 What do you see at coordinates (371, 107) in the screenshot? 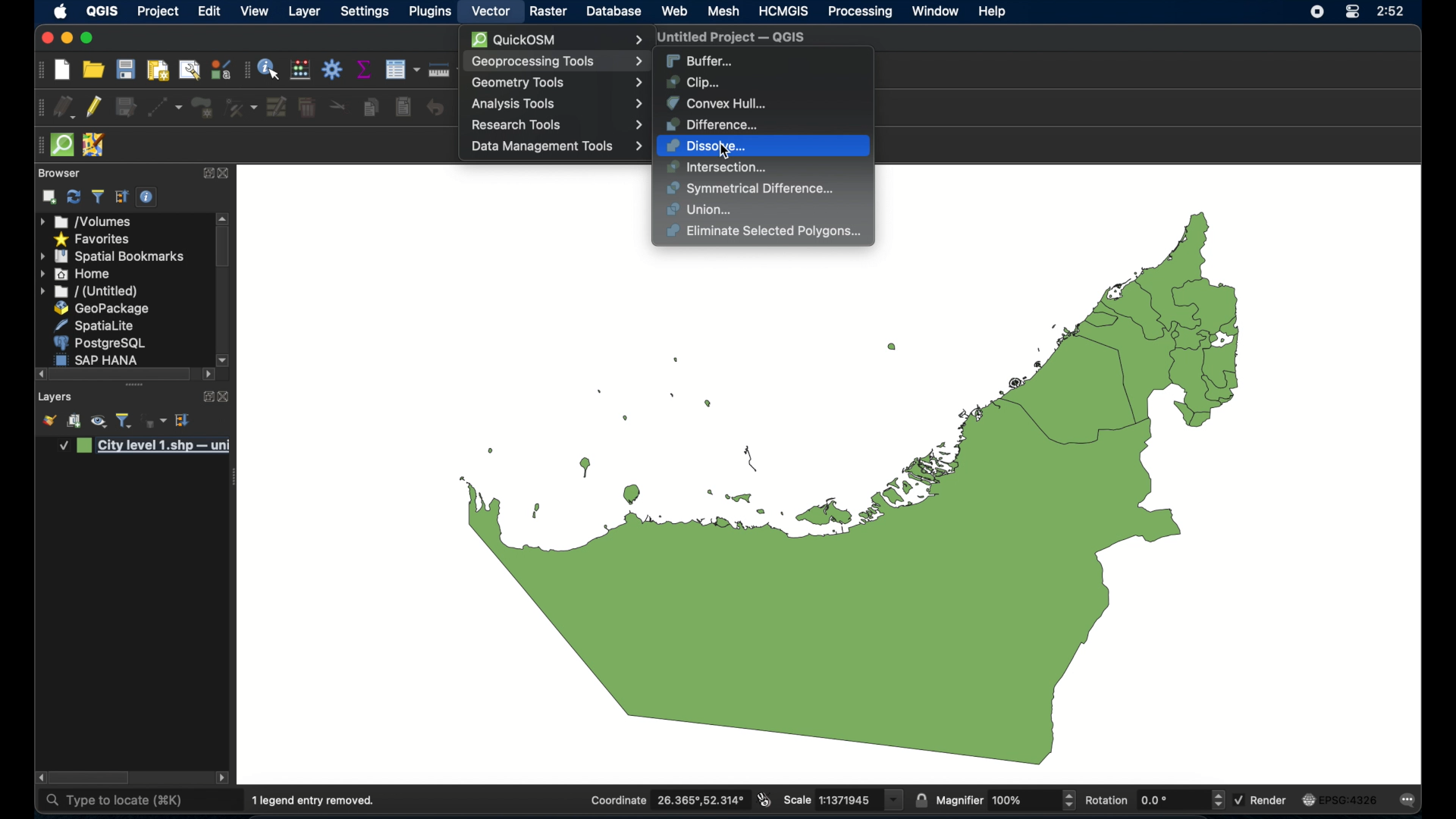
I see `copy features` at bounding box center [371, 107].